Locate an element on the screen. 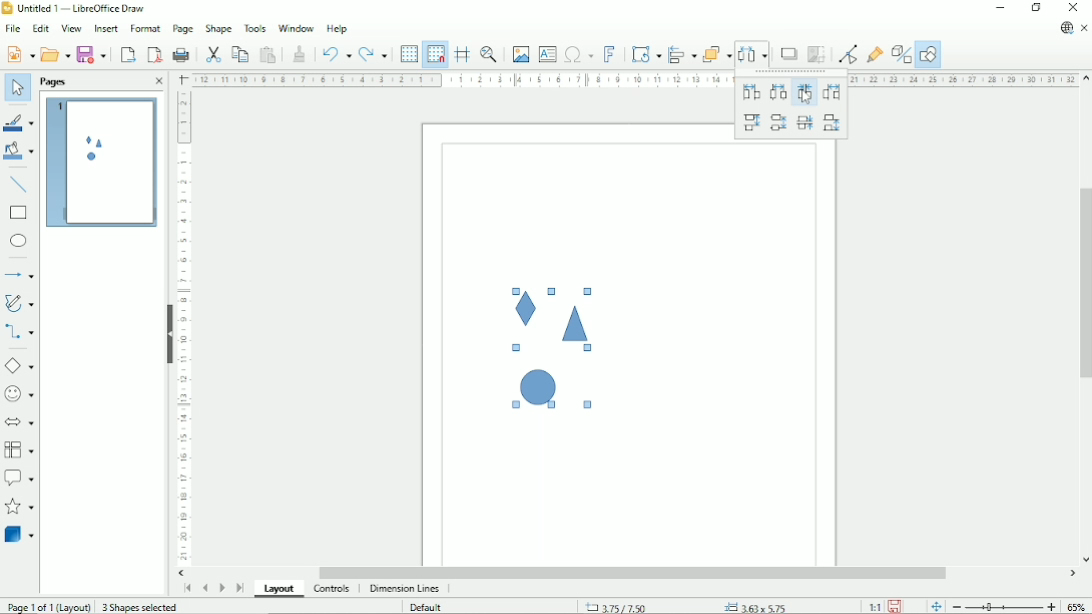  Paste is located at coordinates (268, 53).